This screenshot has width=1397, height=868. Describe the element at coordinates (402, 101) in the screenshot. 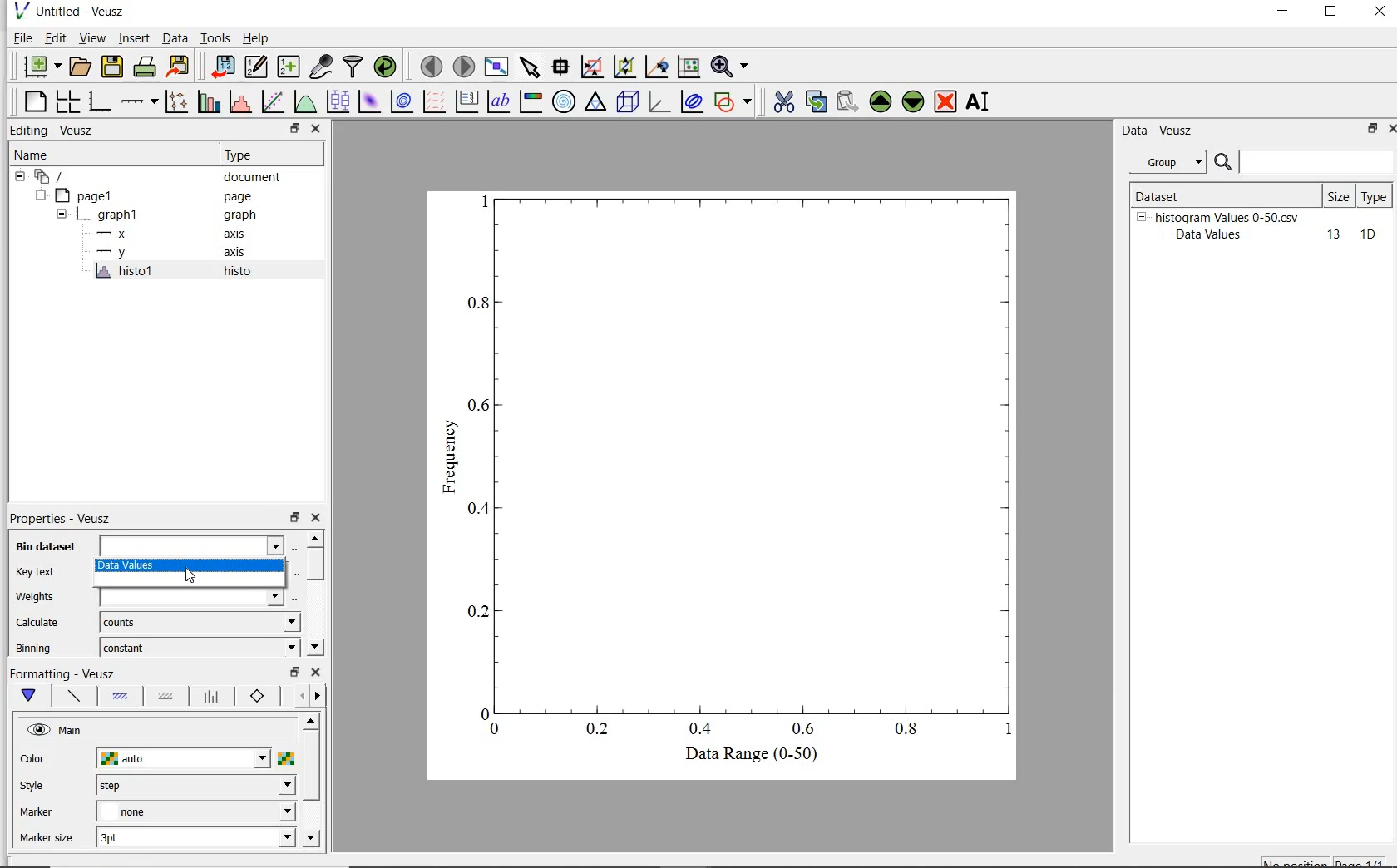

I see `plot 2d dataset as contours` at that location.